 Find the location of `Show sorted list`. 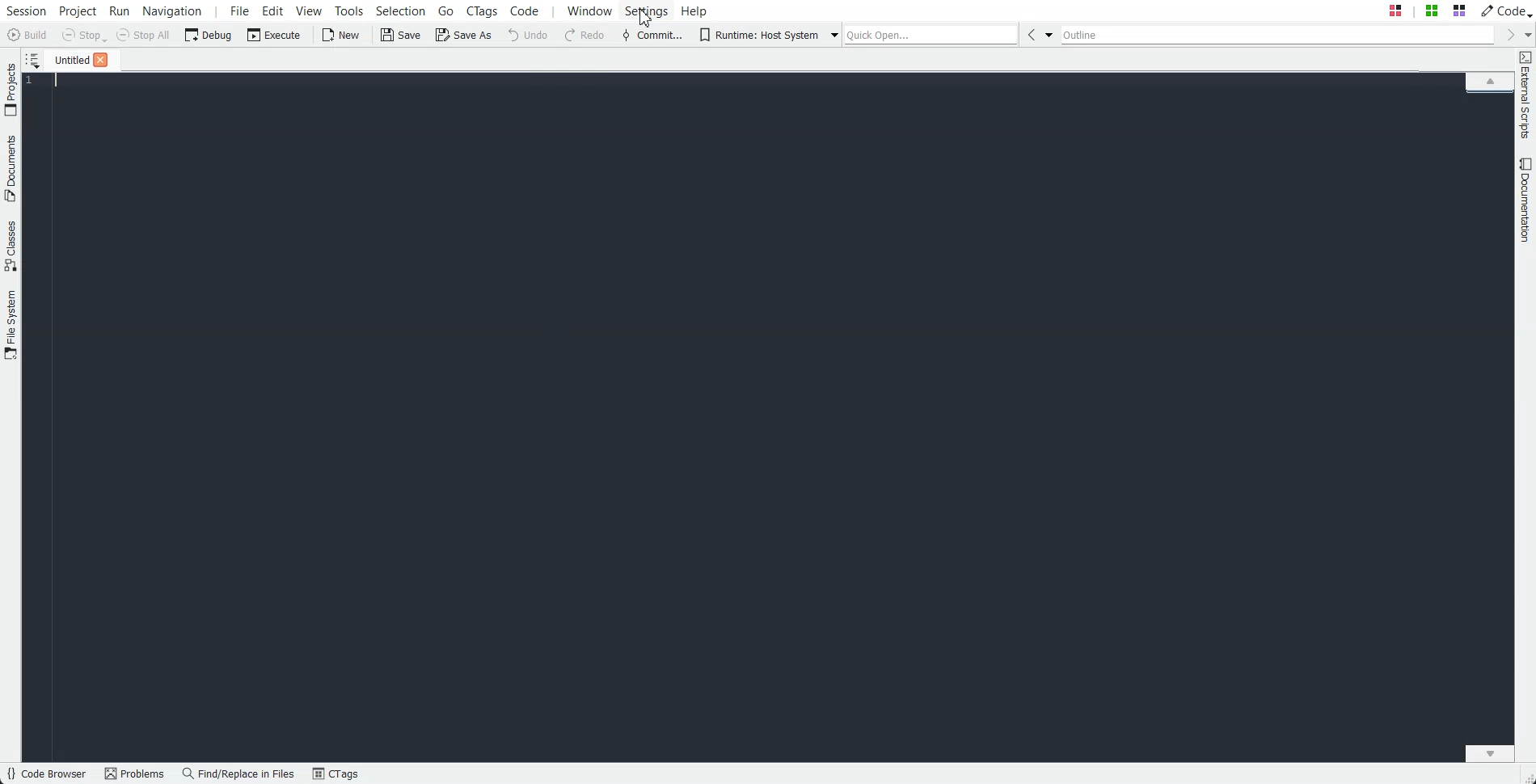

Show sorted list is located at coordinates (32, 60).